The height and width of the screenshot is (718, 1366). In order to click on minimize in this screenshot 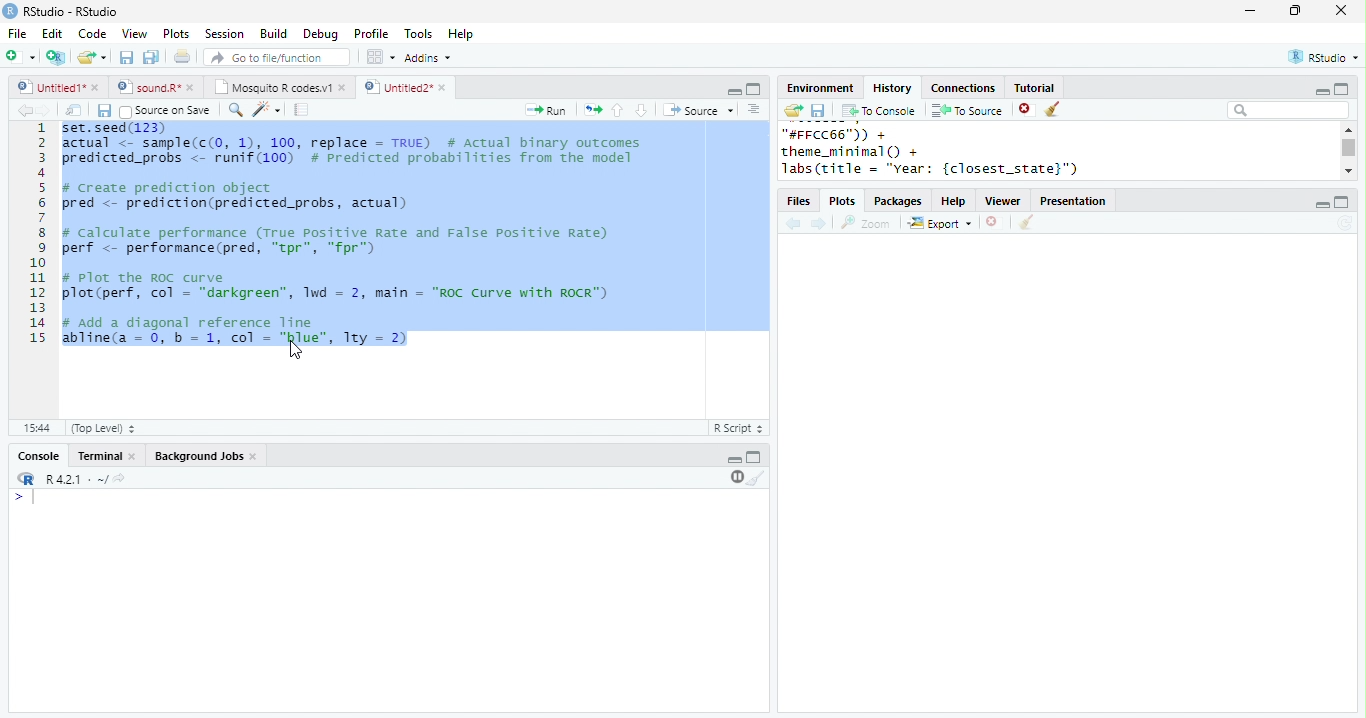, I will do `click(734, 460)`.